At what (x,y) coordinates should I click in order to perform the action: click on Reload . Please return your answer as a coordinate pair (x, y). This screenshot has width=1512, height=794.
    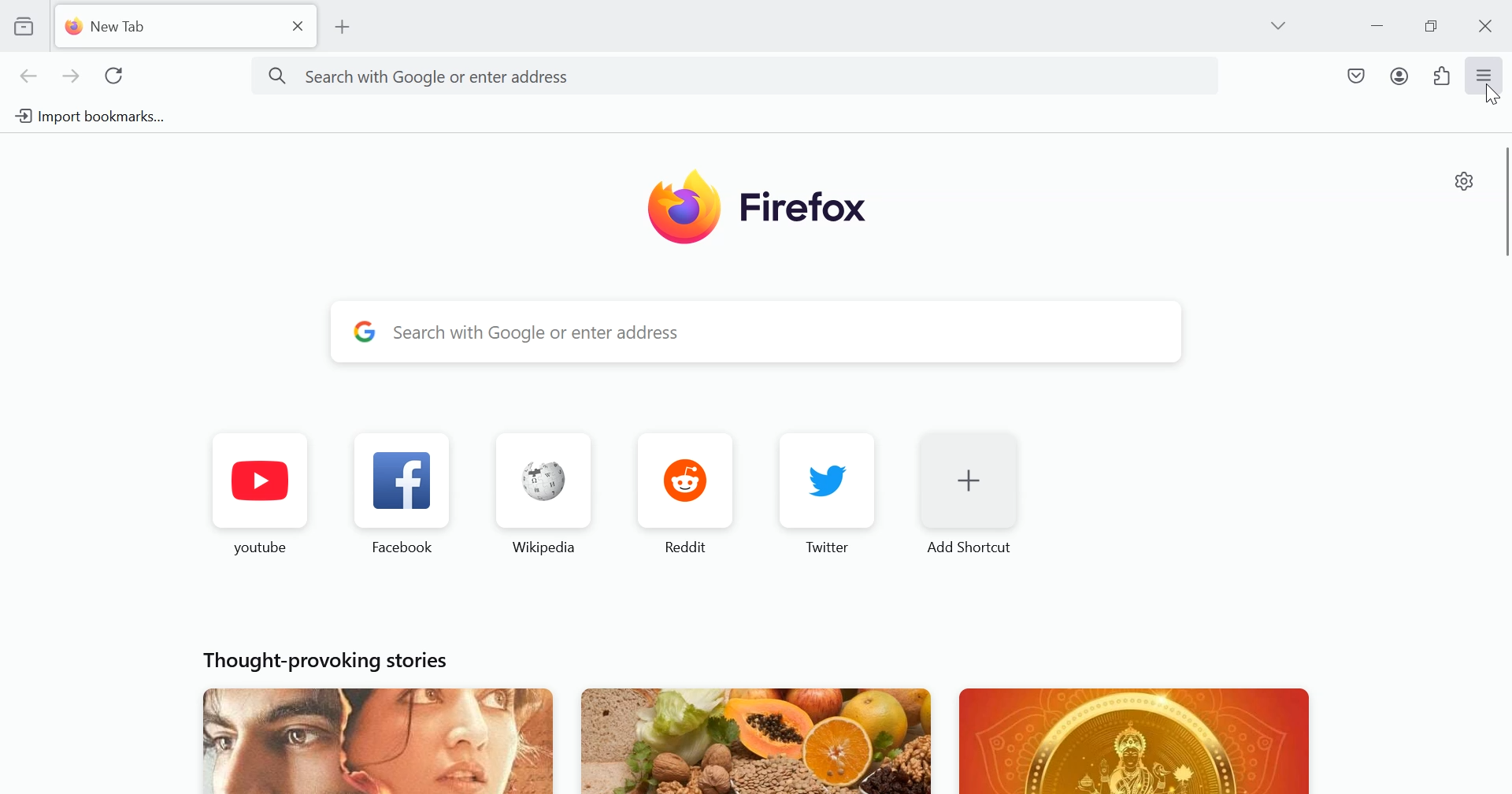
    Looking at the image, I should click on (117, 77).